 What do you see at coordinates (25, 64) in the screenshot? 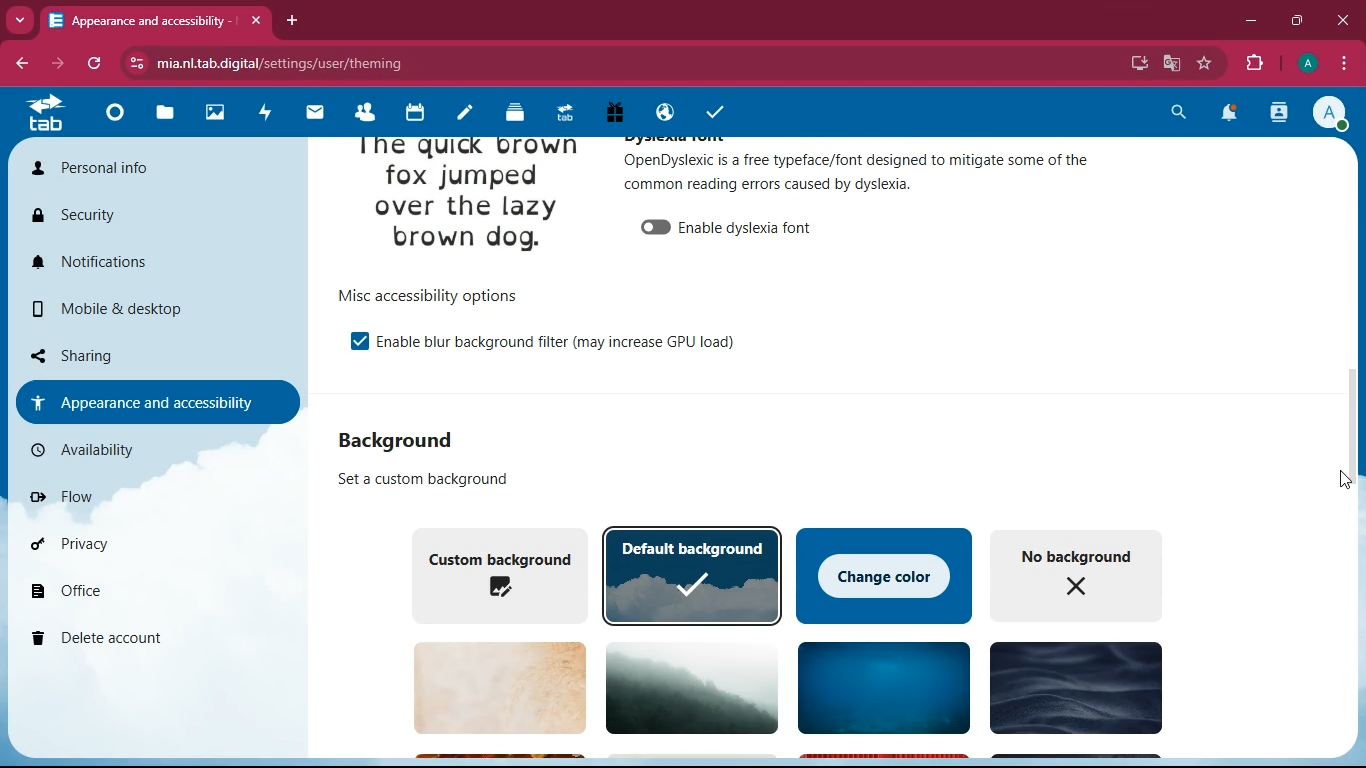
I see `back` at bounding box center [25, 64].